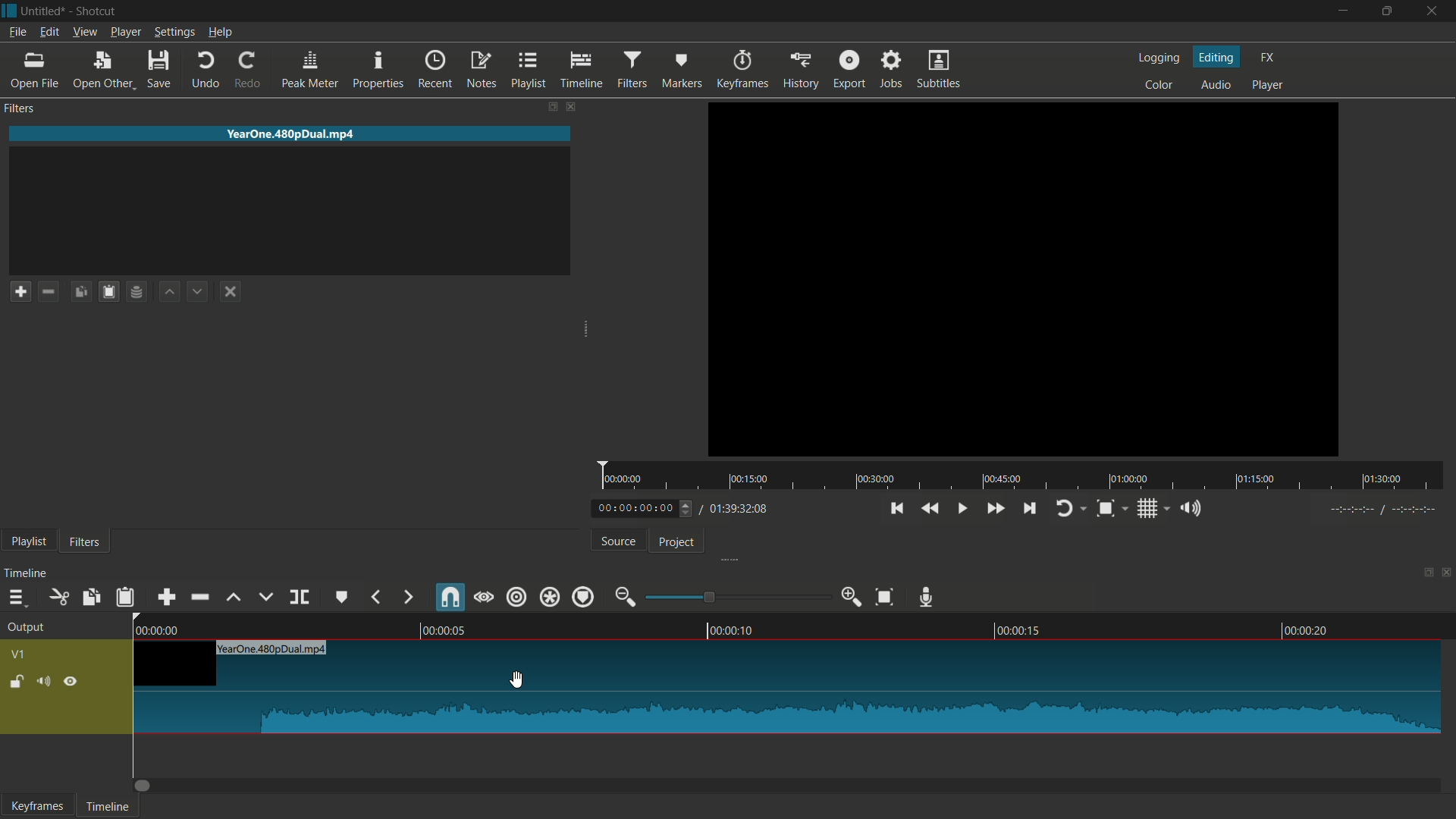 Image resolution: width=1456 pixels, height=819 pixels. I want to click on ripple delete, so click(199, 598).